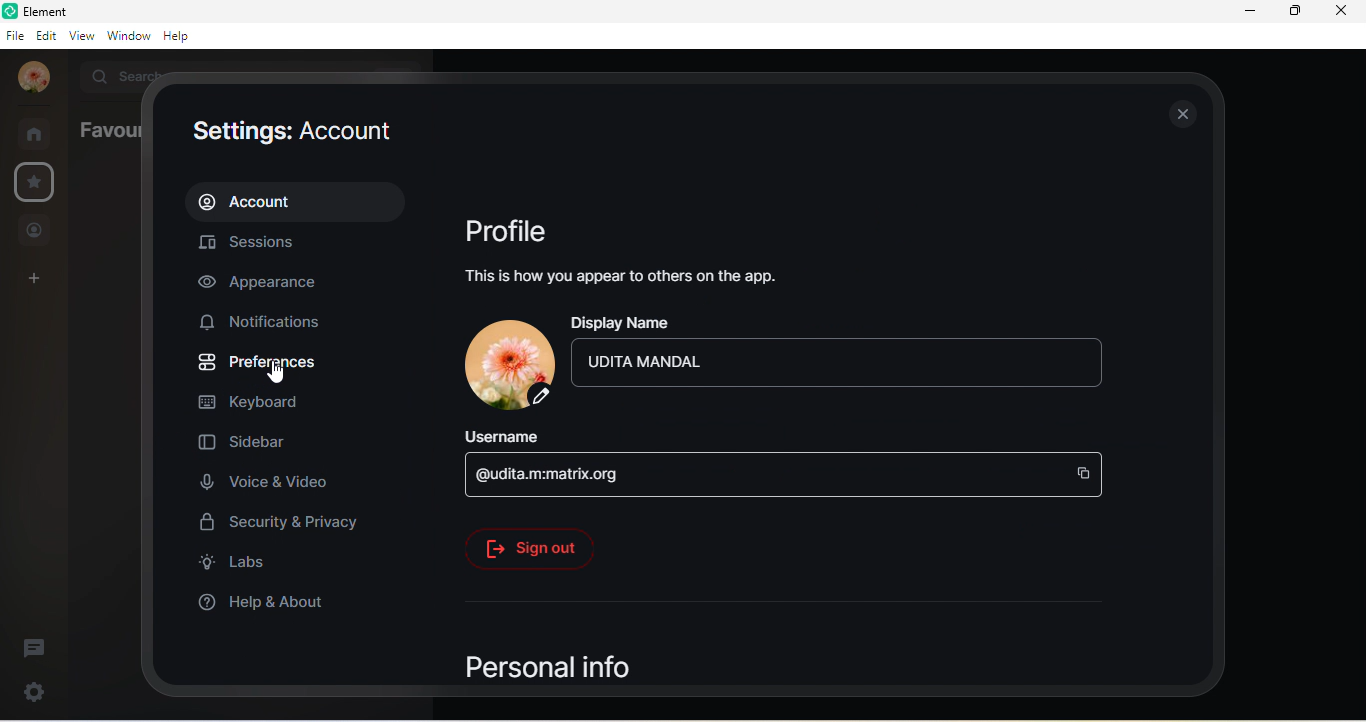 The image size is (1366, 722). Describe the element at coordinates (263, 605) in the screenshot. I see `help and about` at that location.